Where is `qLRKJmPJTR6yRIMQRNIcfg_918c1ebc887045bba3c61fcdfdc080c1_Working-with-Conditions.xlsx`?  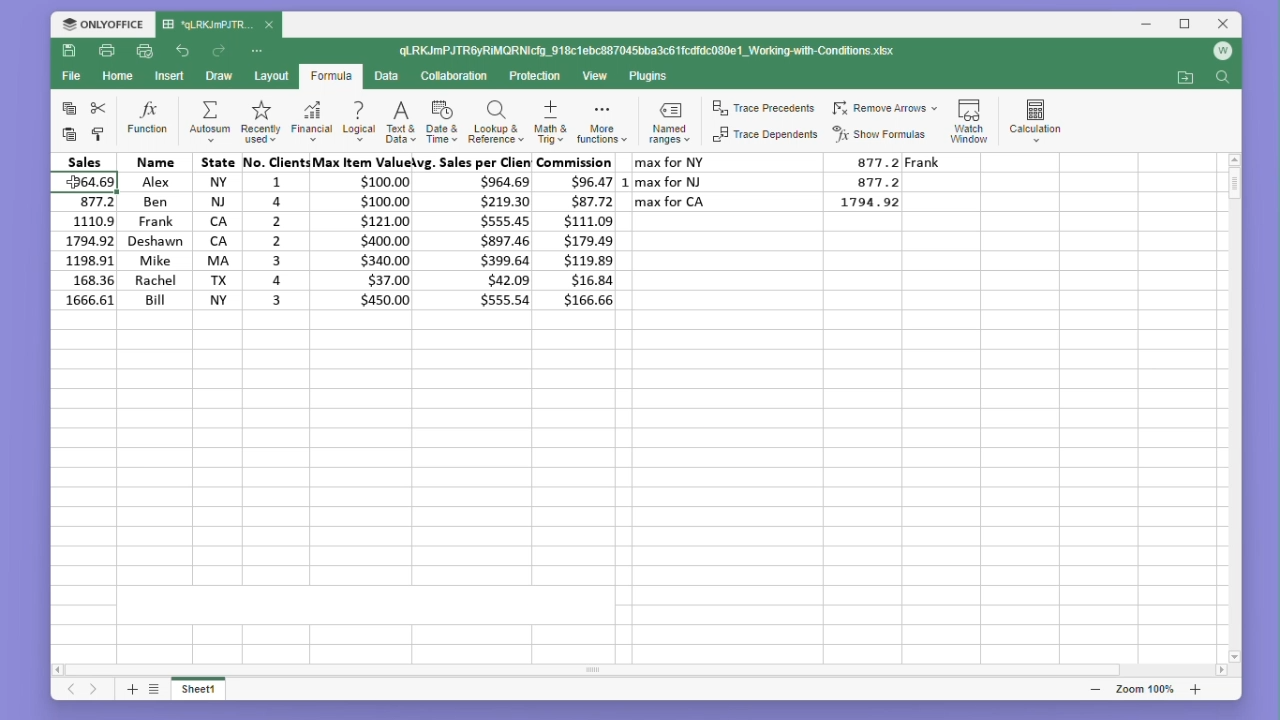 qLRKJmPJTR6yRIMQRNIcfg_918c1ebc887045bba3c61fcdfdc080c1_Working-with-Conditions.xlsx is located at coordinates (651, 49).